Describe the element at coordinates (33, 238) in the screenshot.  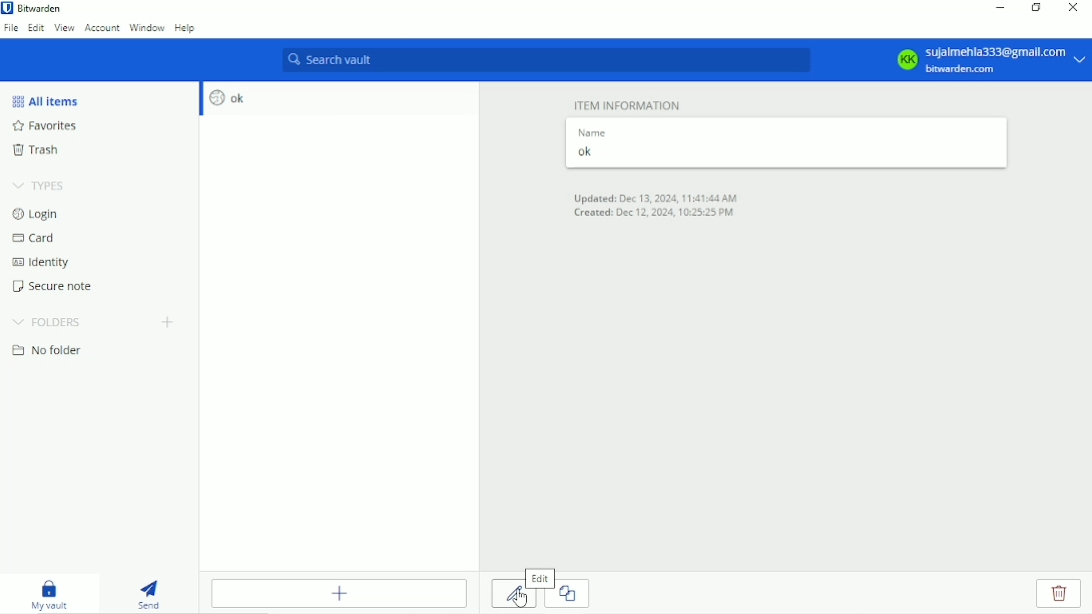
I see `Card` at that location.